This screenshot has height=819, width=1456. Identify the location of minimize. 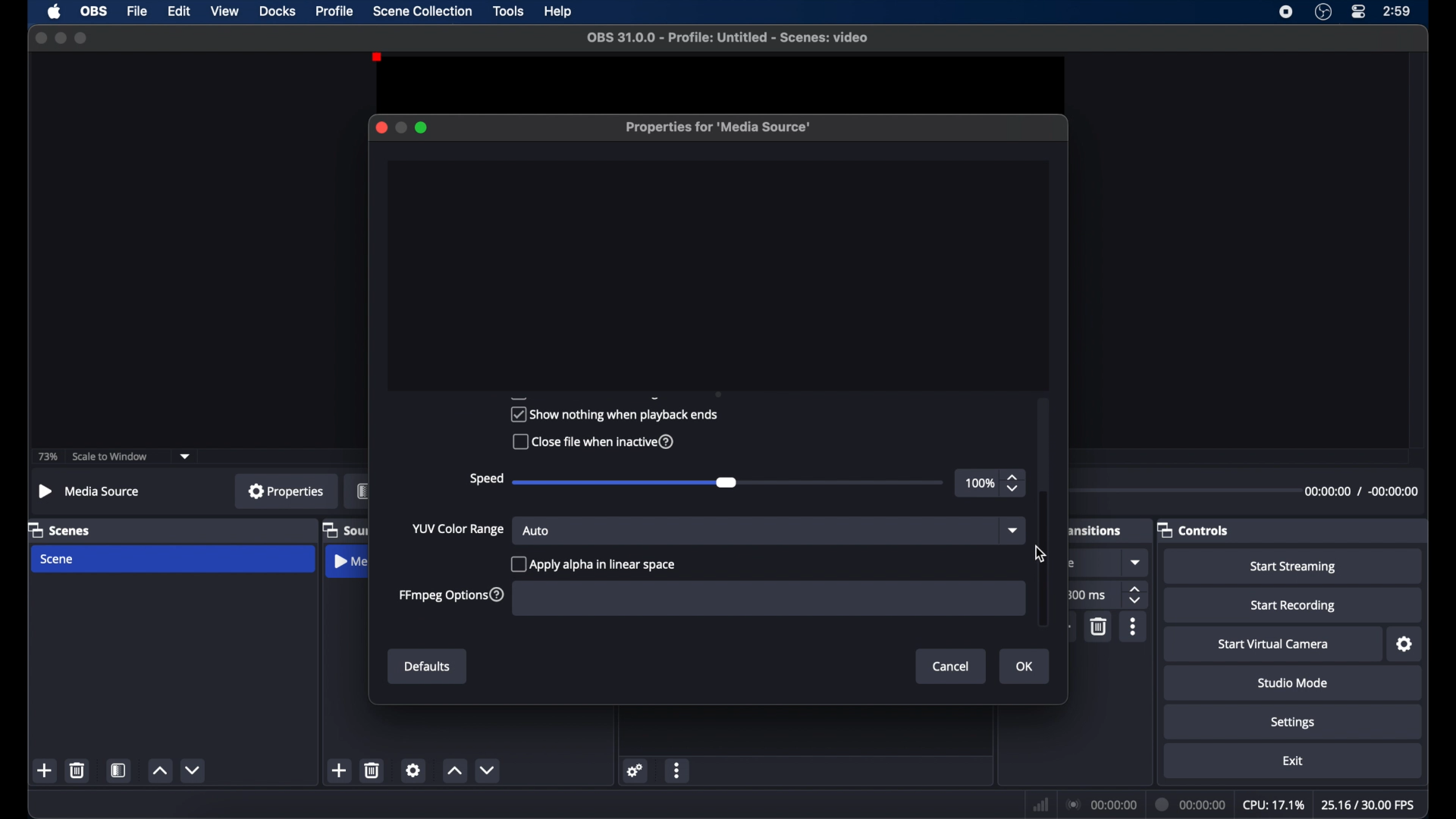
(60, 38).